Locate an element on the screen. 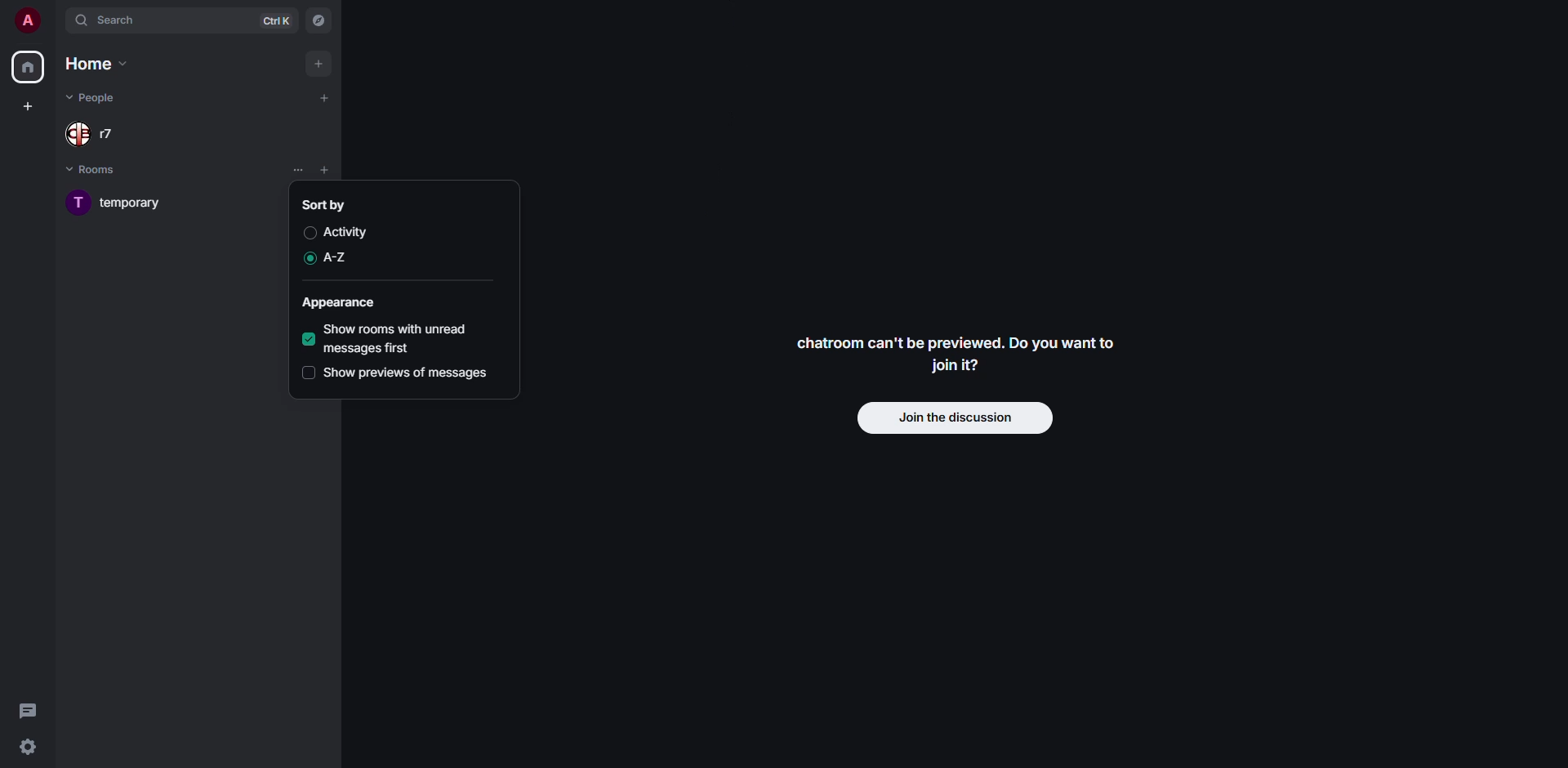 The width and height of the screenshot is (1568, 768). activity is located at coordinates (350, 230).